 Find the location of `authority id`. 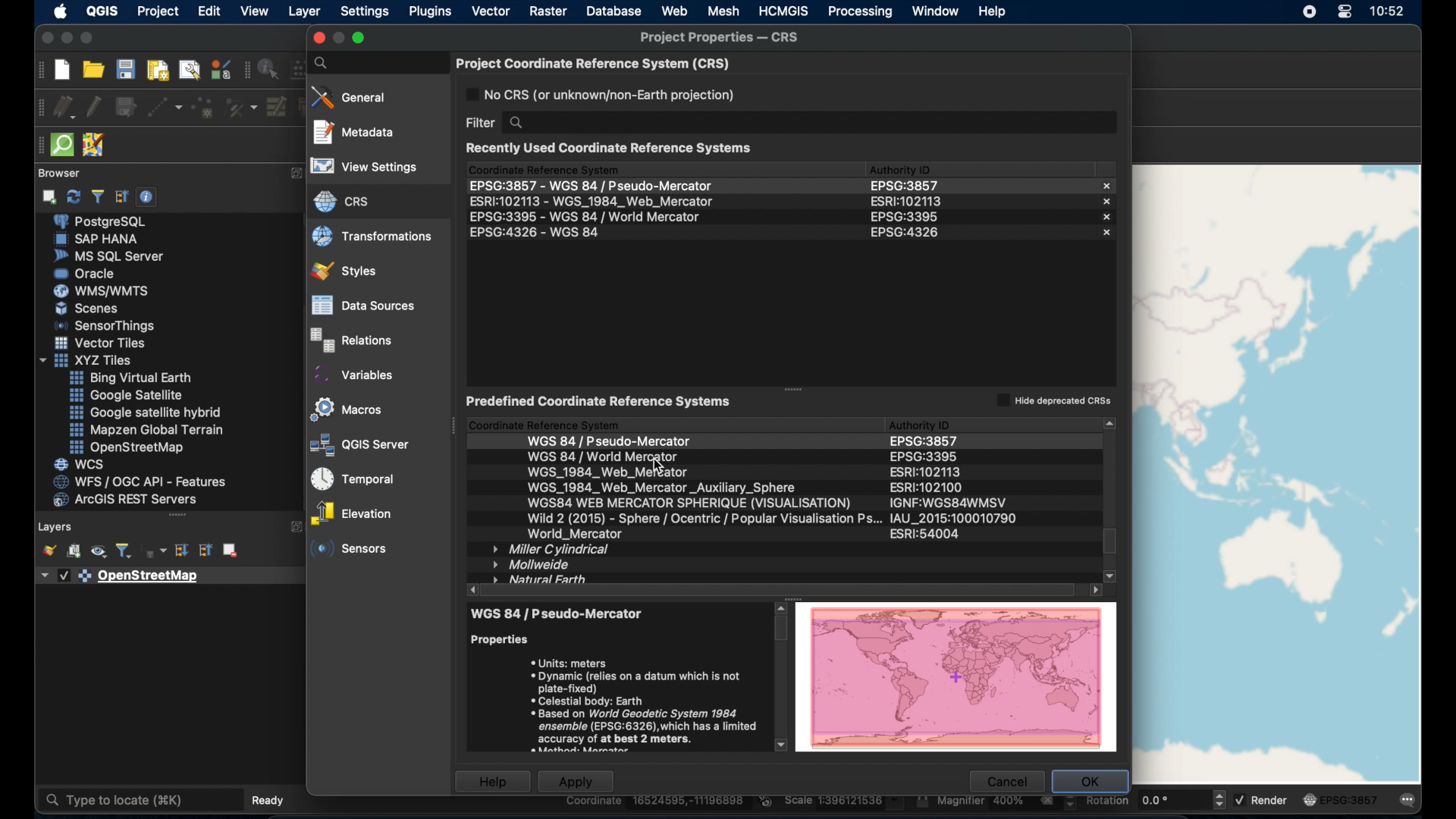

authority id is located at coordinates (929, 488).